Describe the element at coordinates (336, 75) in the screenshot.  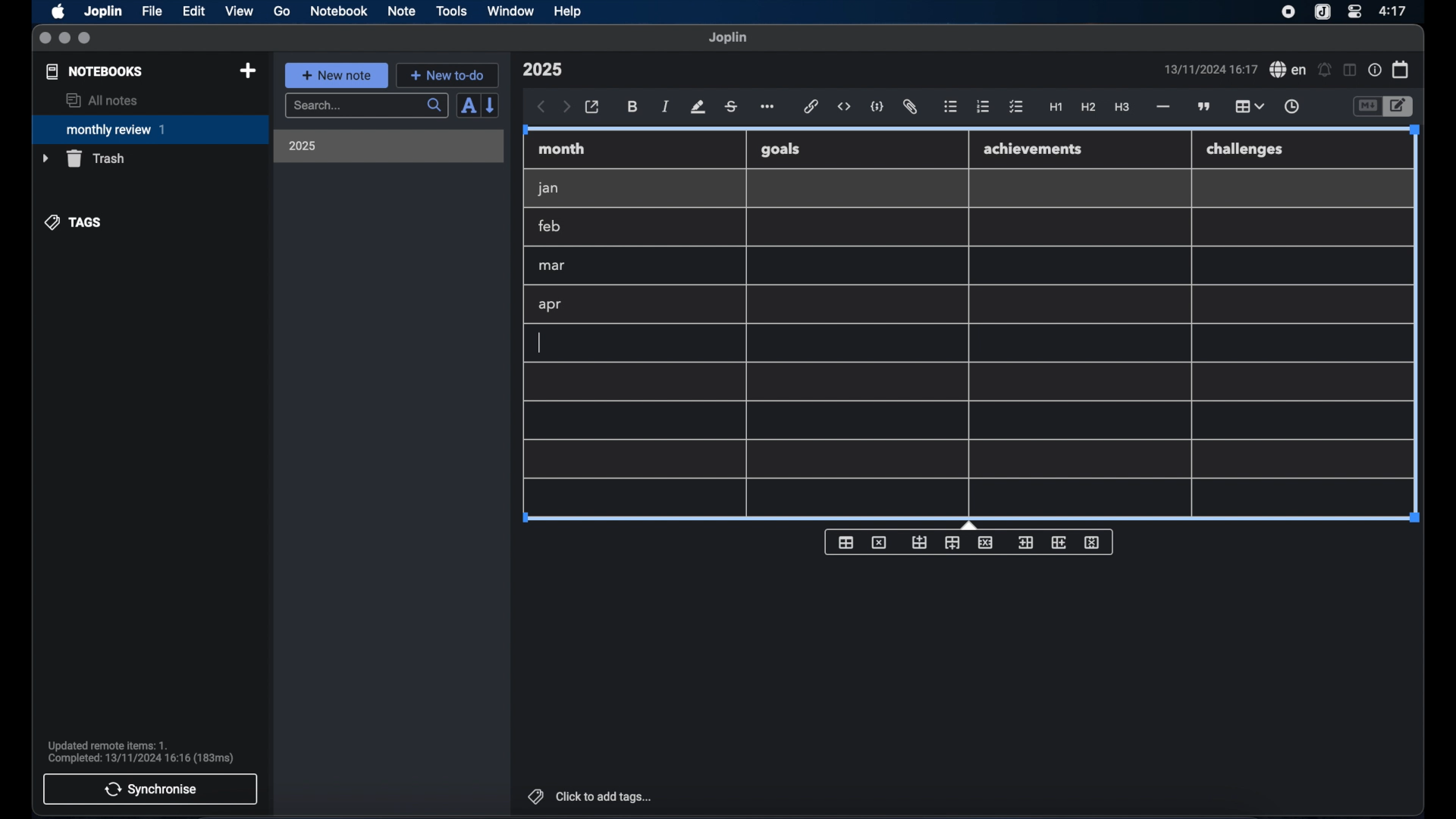
I see `new note` at that location.